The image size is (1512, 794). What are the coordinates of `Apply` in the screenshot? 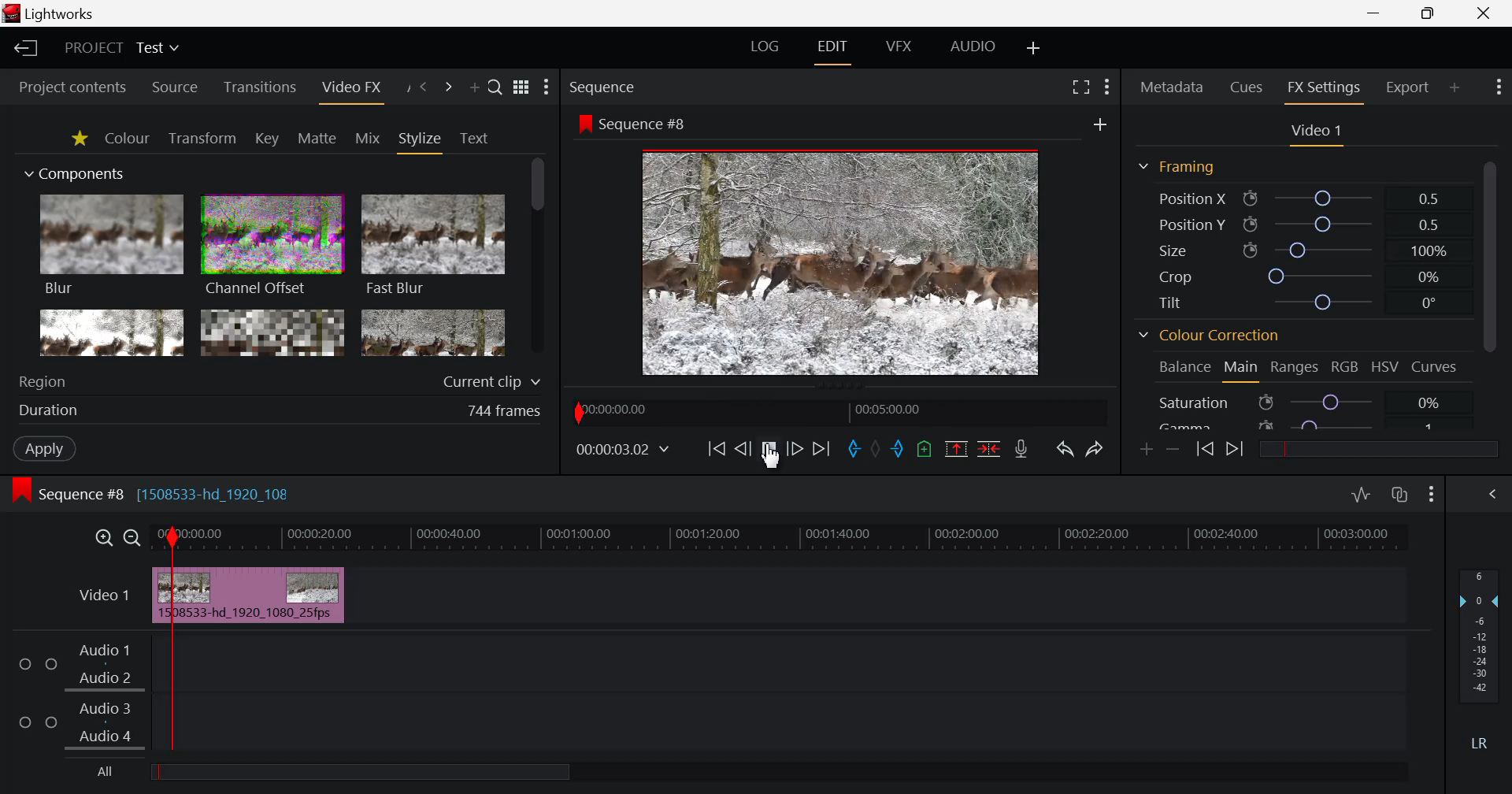 It's located at (44, 448).